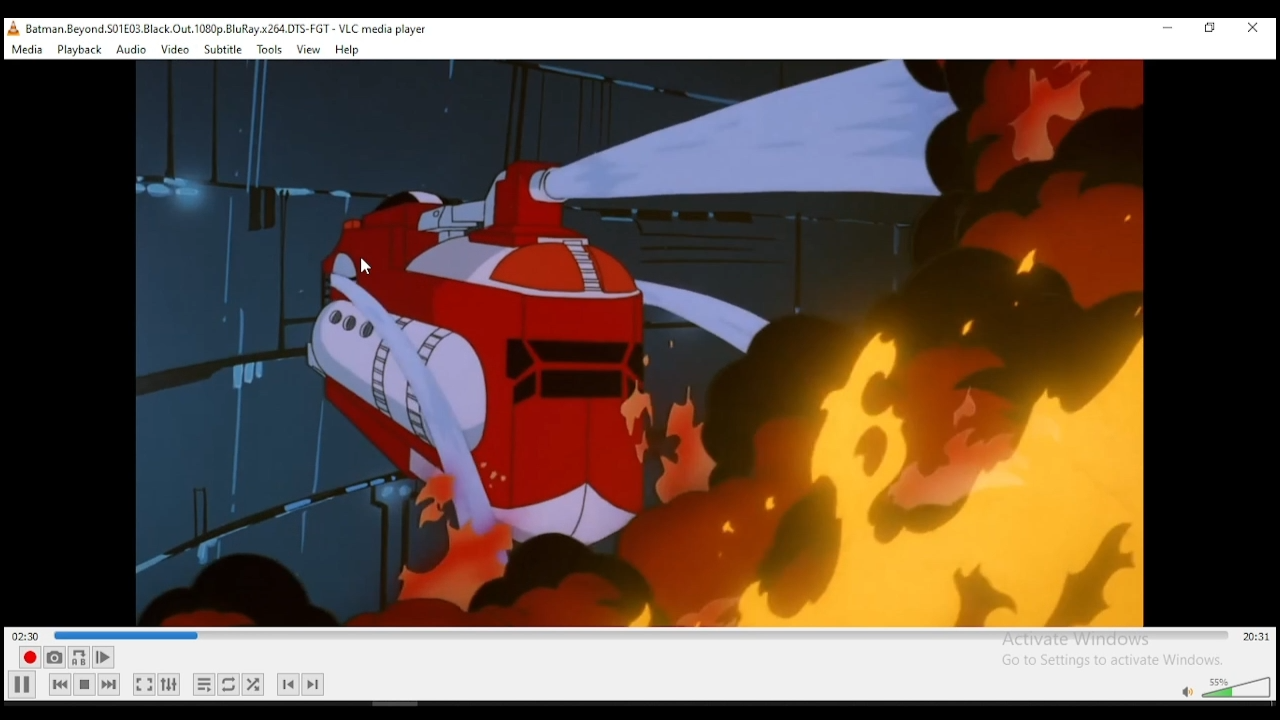  What do you see at coordinates (639, 636) in the screenshot?
I see `seek bar` at bounding box center [639, 636].